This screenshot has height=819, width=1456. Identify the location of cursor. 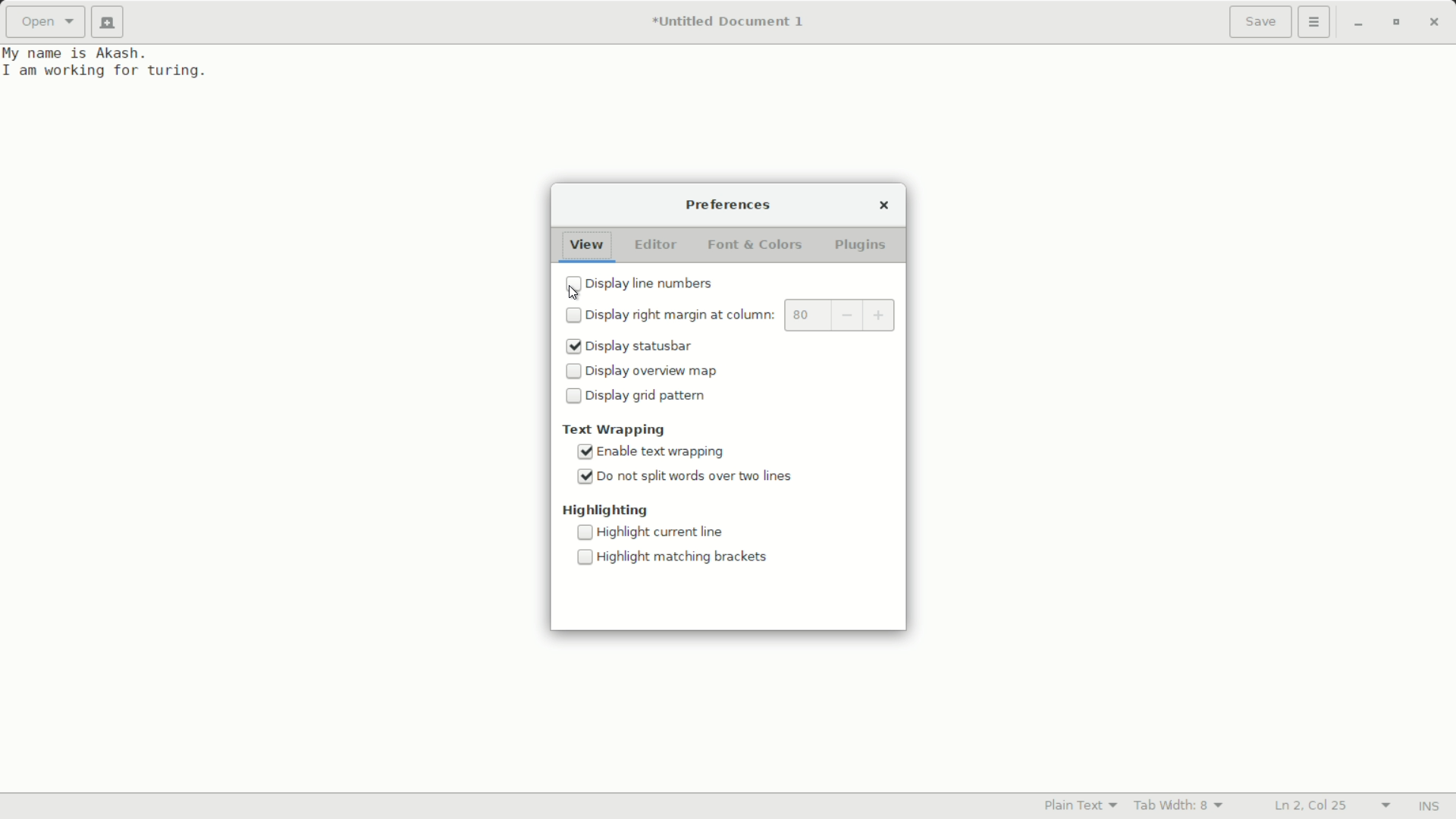
(573, 293).